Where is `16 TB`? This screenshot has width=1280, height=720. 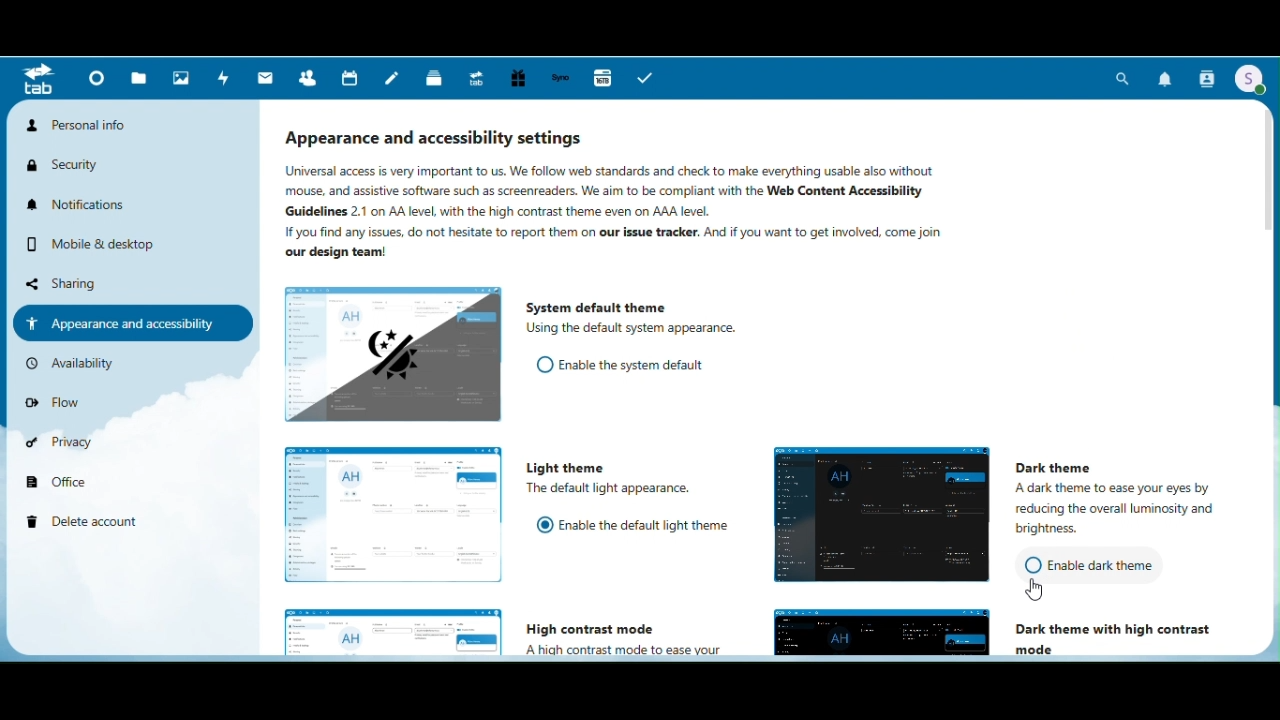 16 TB is located at coordinates (602, 80).